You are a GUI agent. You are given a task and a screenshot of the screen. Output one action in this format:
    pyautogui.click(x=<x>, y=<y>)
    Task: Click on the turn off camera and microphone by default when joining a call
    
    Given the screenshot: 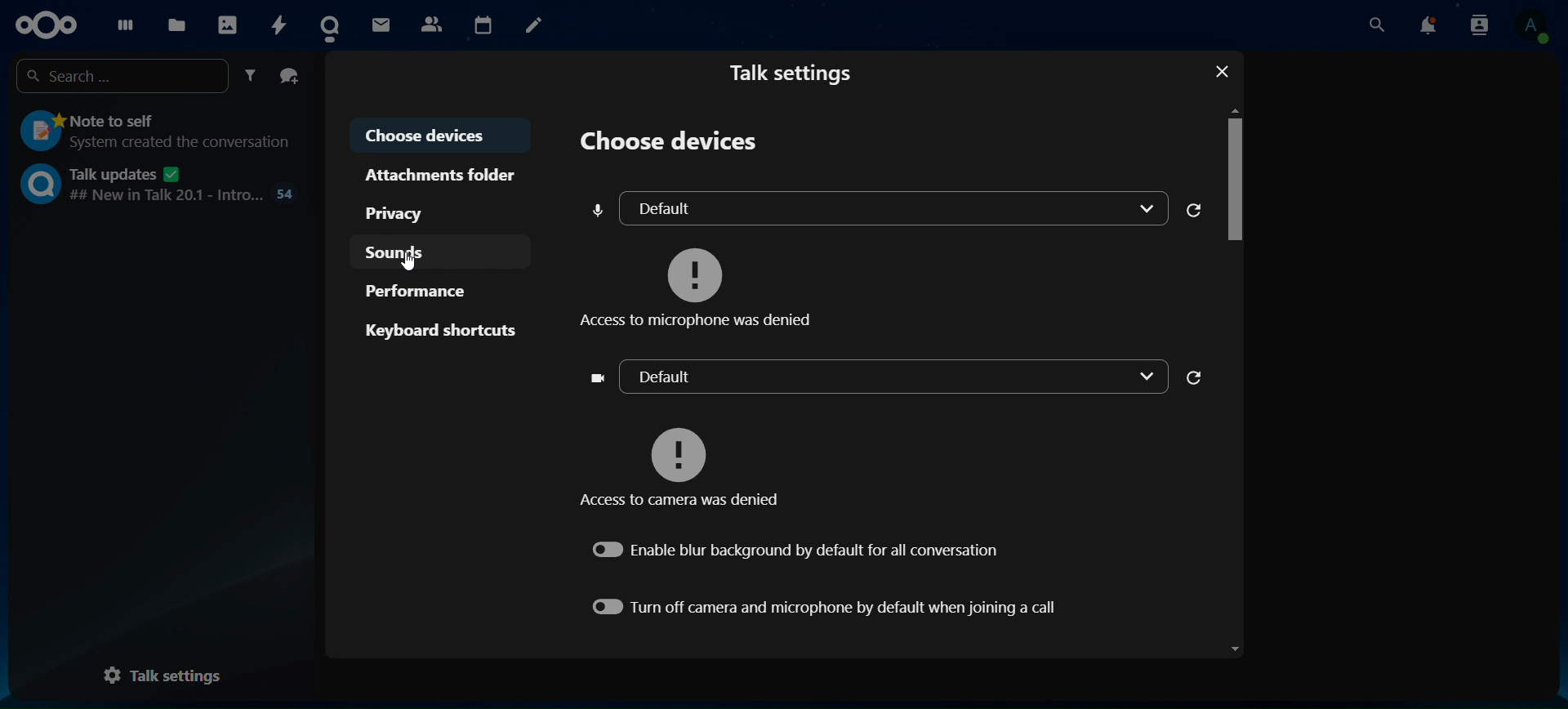 What is the action you would take?
    pyautogui.click(x=829, y=606)
    